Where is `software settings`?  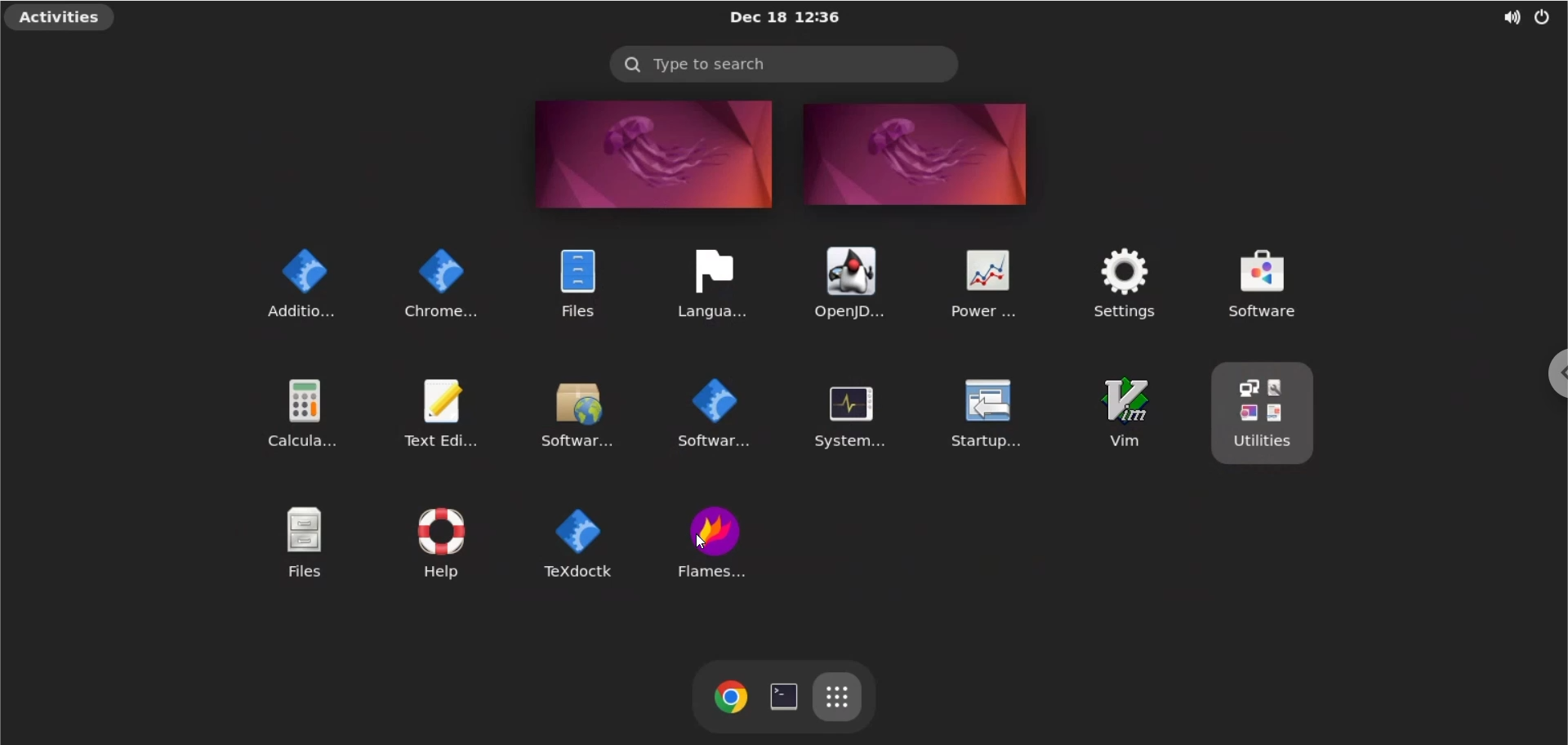 software settings is located at coordinates (709, 413).